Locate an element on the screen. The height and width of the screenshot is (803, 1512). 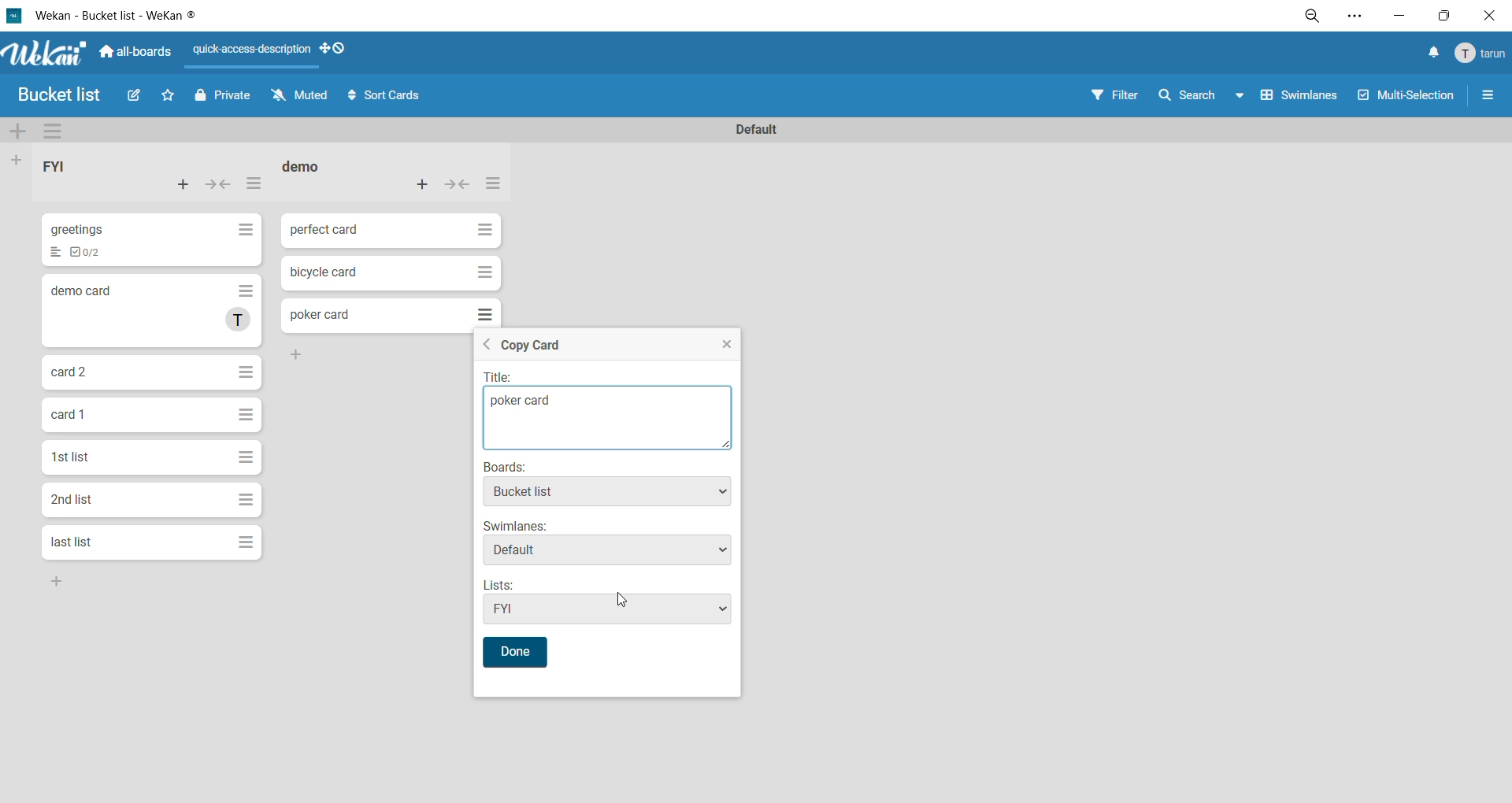
Add Button is located at coordinates (70, 582).